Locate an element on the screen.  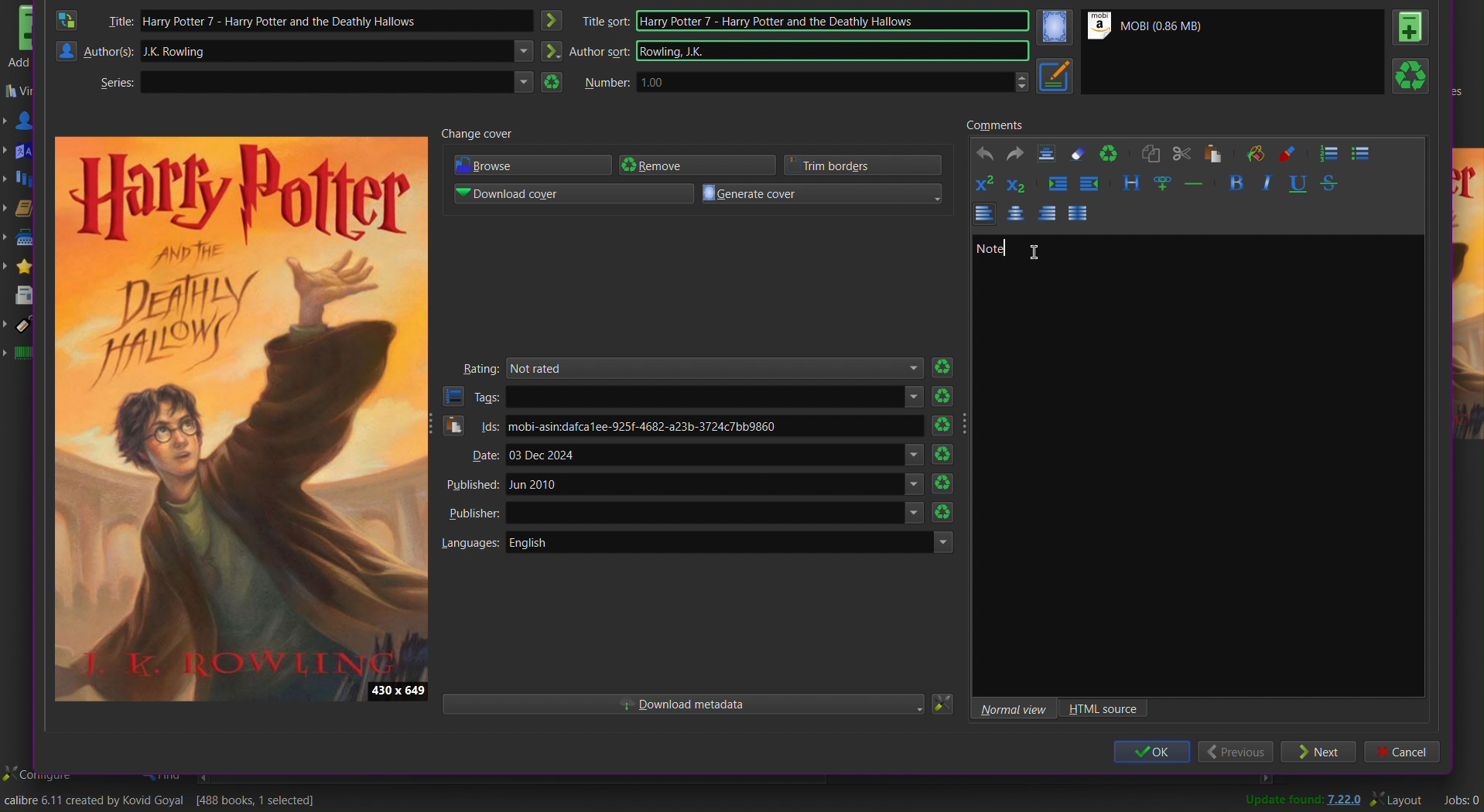
Harry Potter 7 is located at coordinates (353, 21).